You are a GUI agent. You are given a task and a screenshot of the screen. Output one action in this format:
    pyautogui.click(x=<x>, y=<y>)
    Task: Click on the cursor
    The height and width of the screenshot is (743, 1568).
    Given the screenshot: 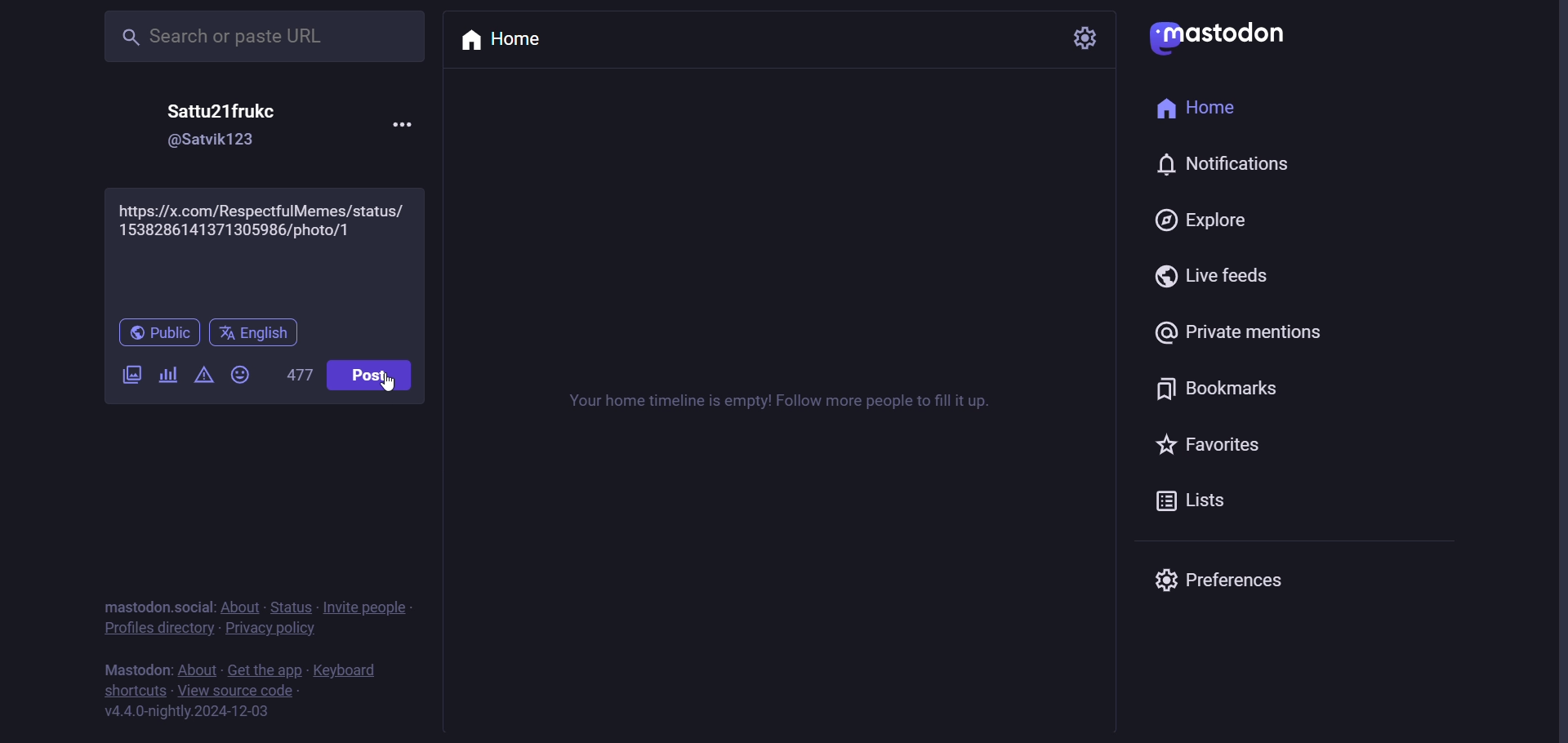 What is the action you would take?
    pyautogui.click(x=410, y=398)
    